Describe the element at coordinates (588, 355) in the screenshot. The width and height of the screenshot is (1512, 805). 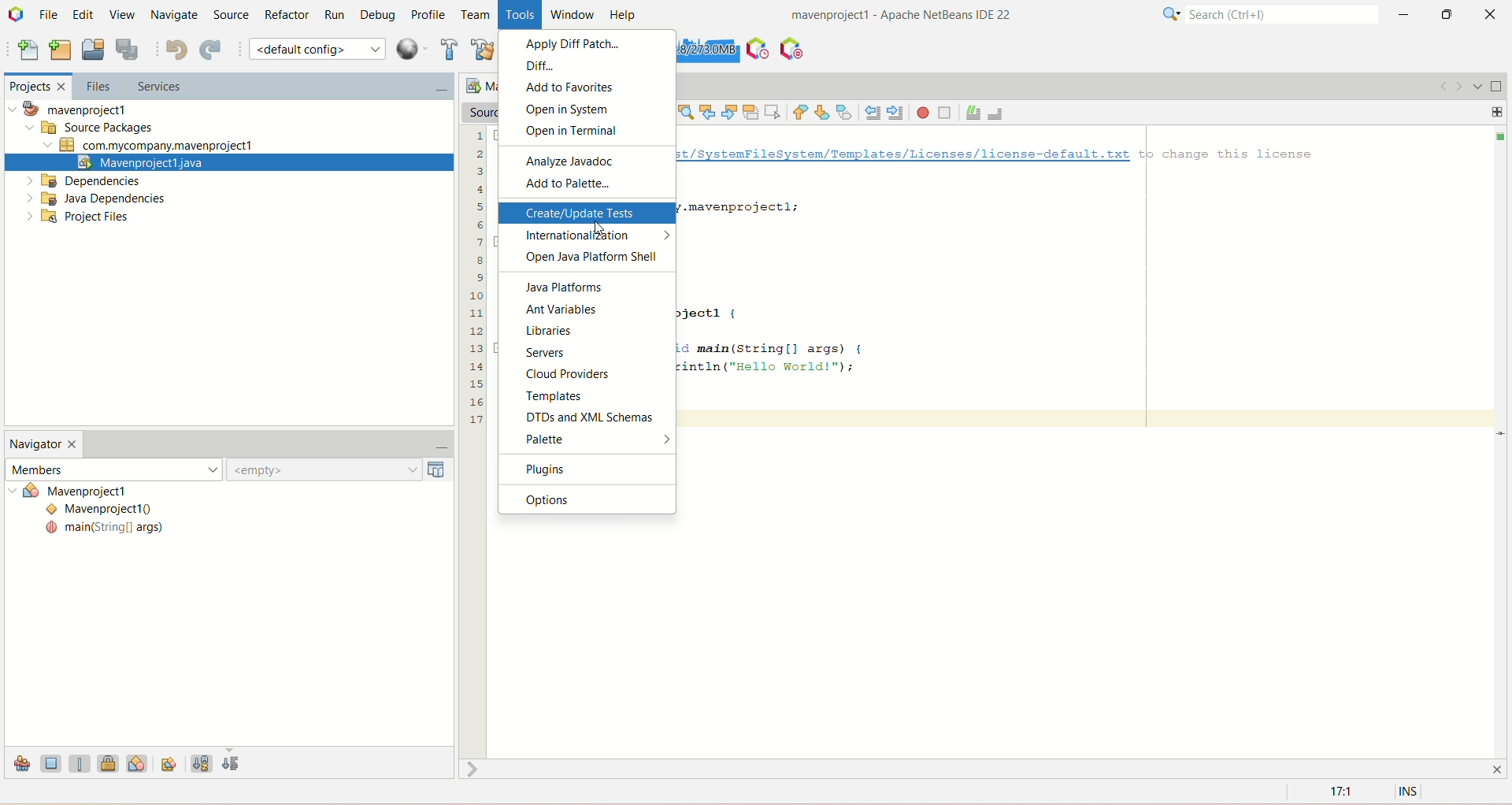
I see `servers` at that location.